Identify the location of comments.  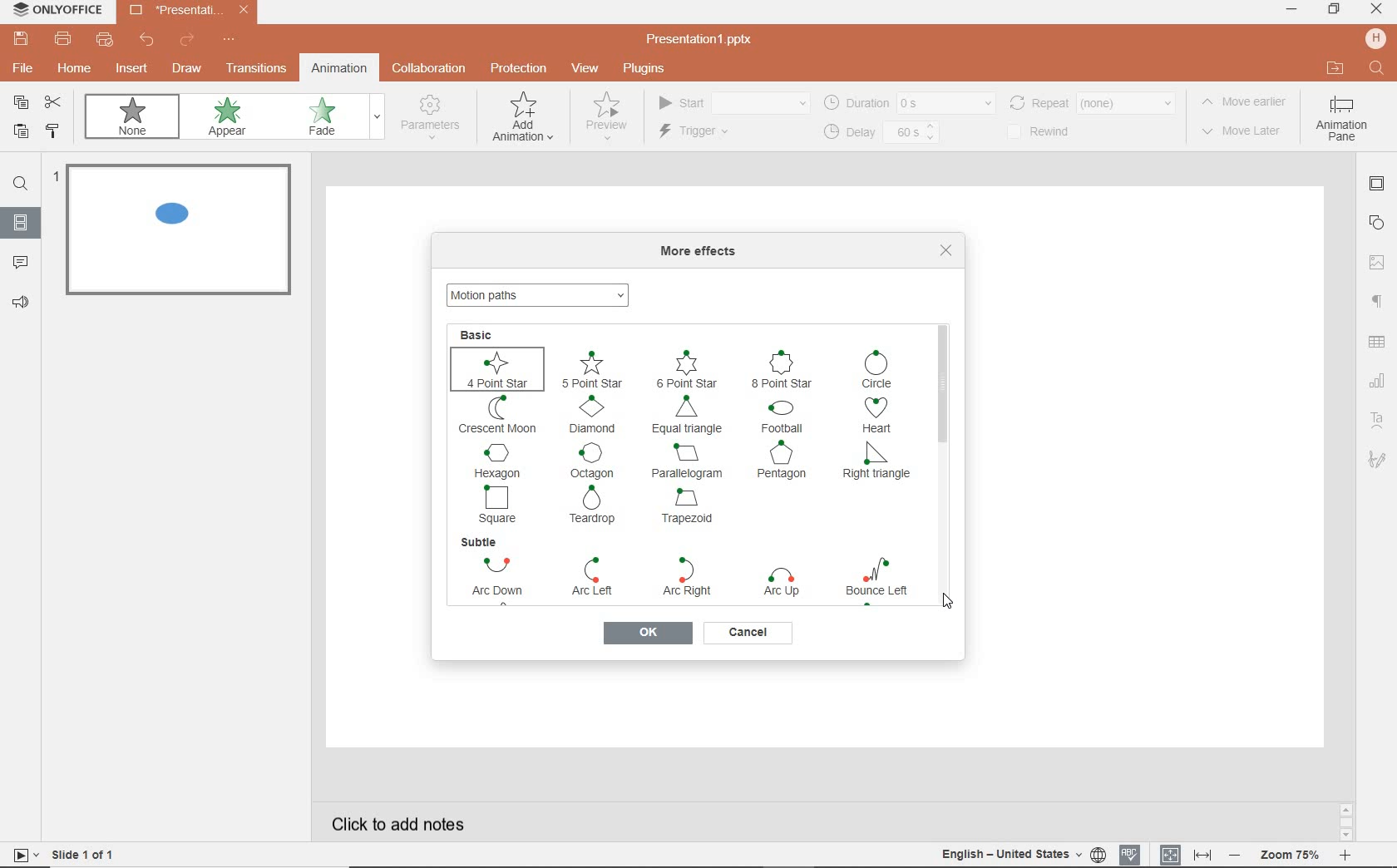
(22, 263).